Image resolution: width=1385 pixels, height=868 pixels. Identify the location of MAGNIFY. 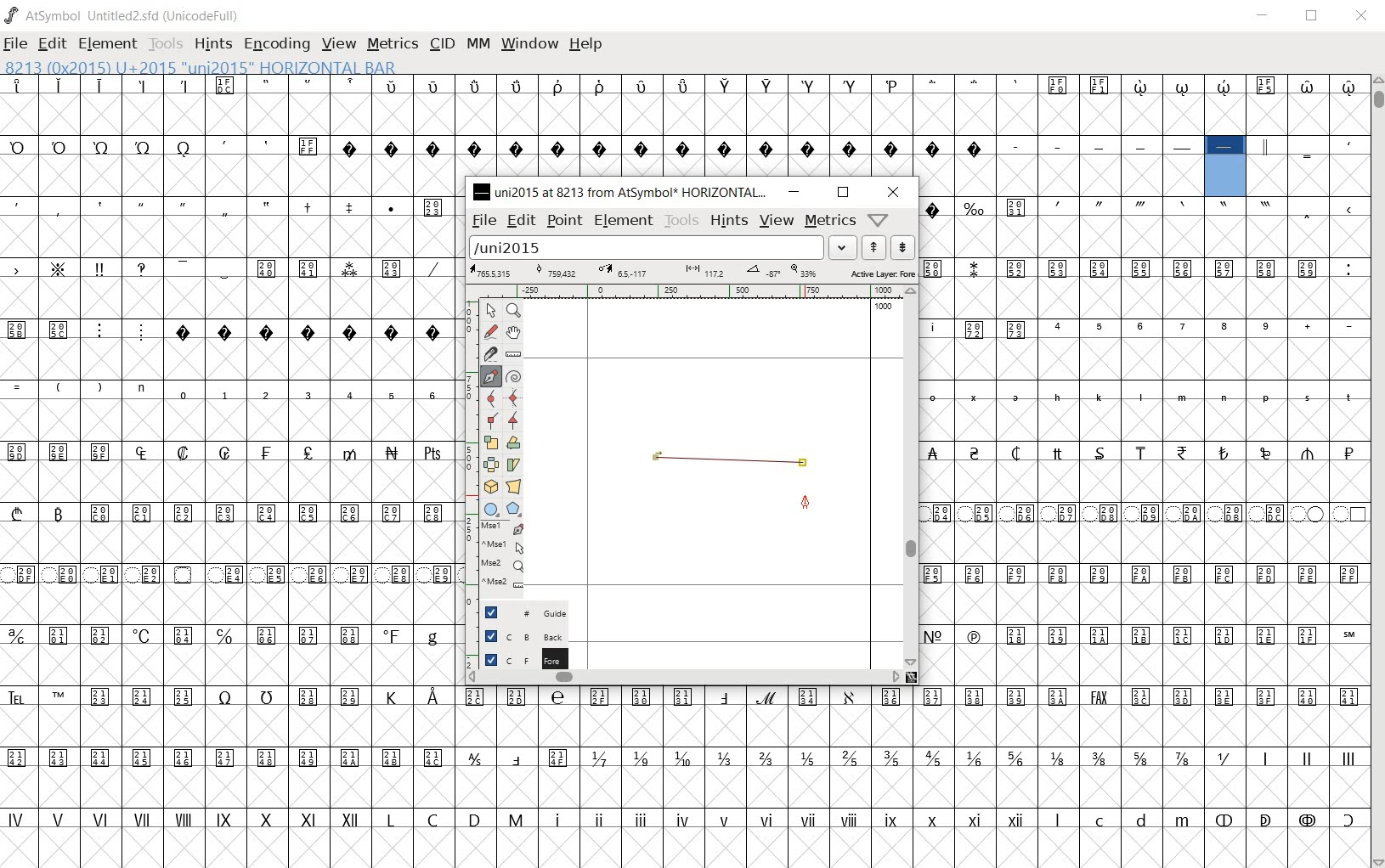
(515, 310).